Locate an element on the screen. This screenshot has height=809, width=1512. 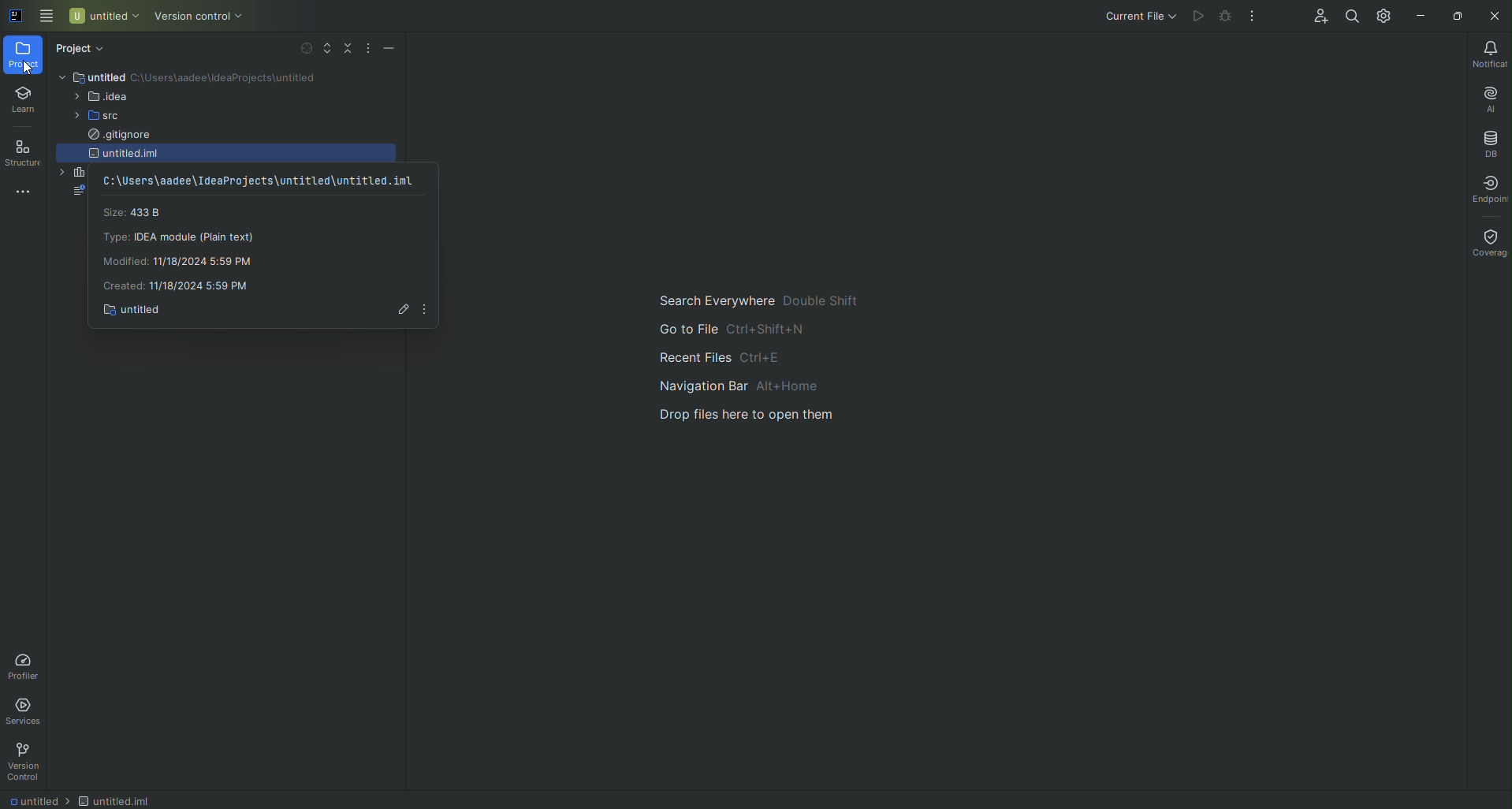
untitled is located at coordinates (133, 153).